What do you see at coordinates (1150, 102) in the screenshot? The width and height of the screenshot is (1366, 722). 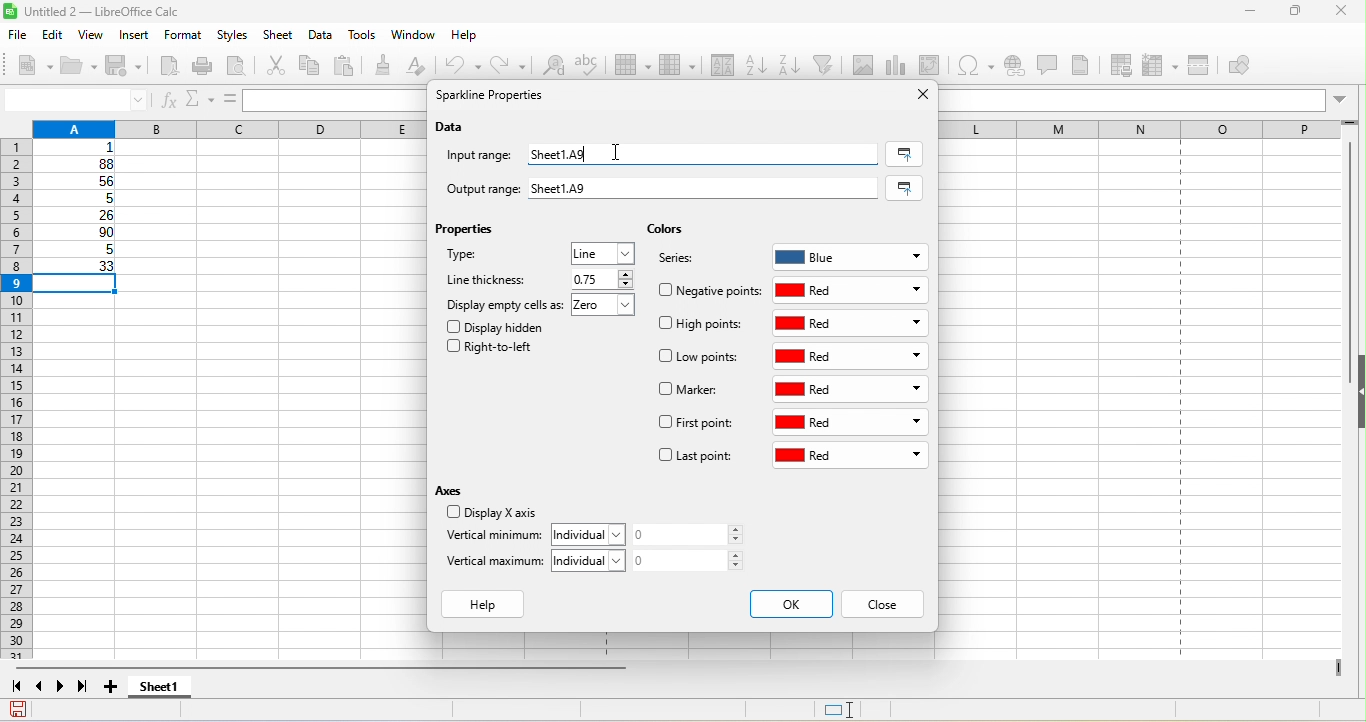 I see `formula bar` at bounding box center [1150, 102].